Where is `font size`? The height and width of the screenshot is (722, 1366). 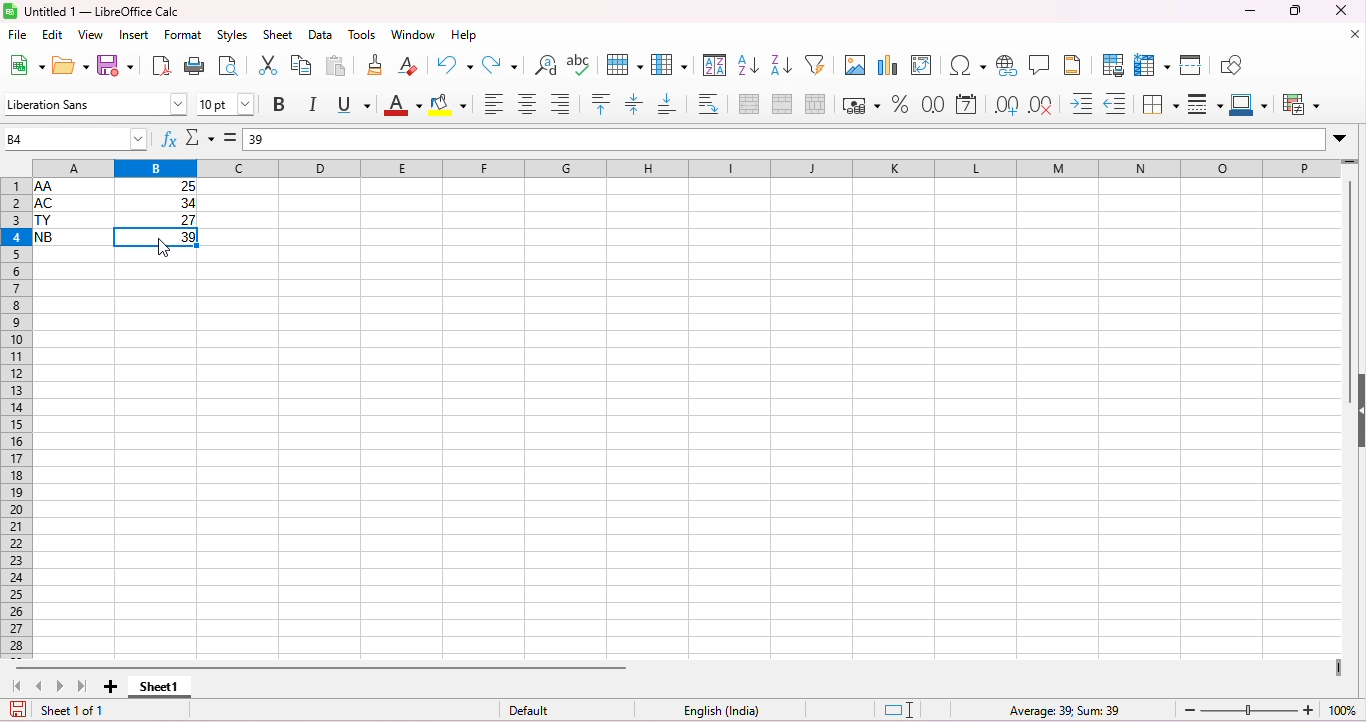 font size is located at coordinates (226, 104).